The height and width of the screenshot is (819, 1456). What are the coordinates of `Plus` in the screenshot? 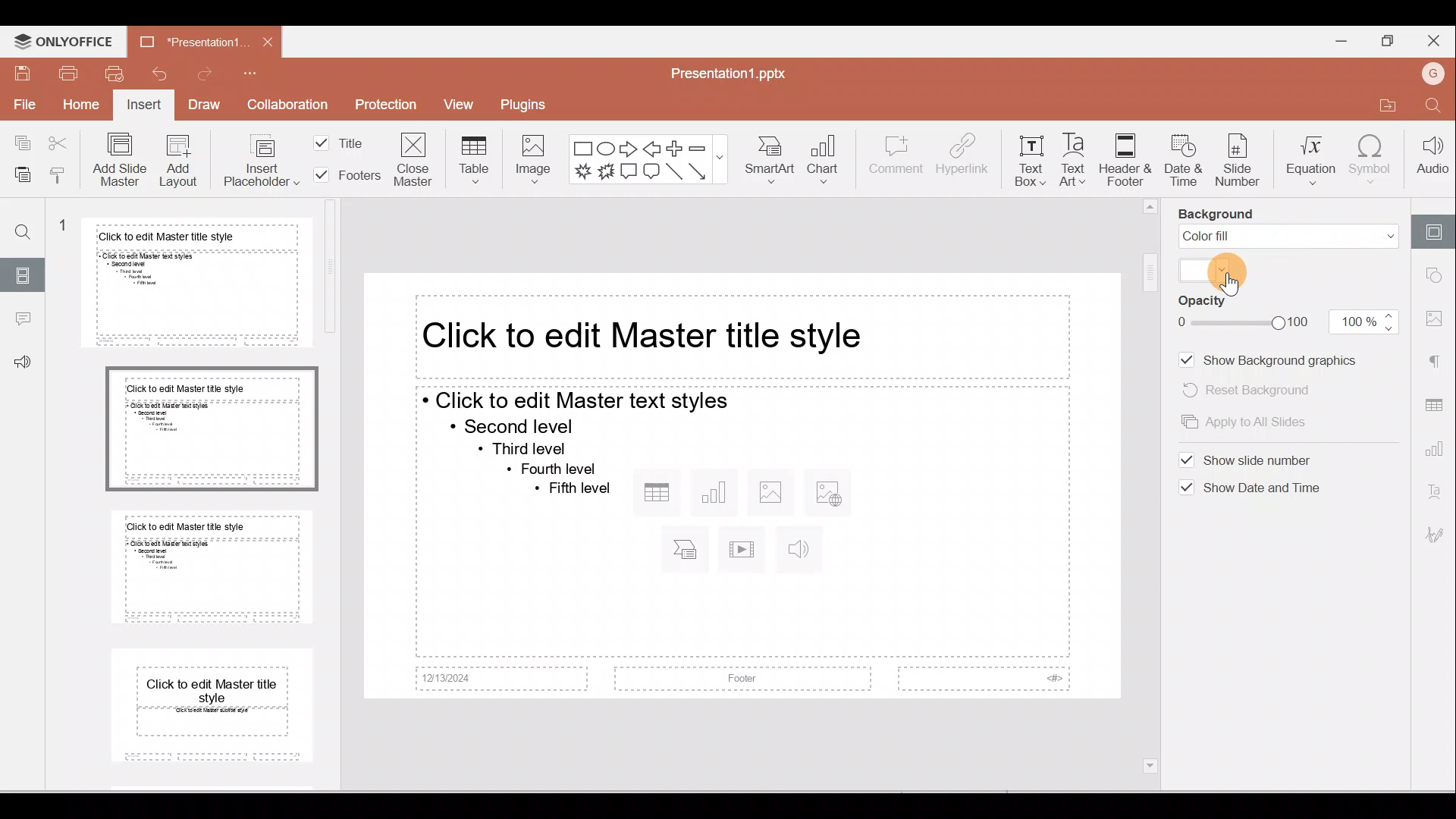 It's located at (675, 147).